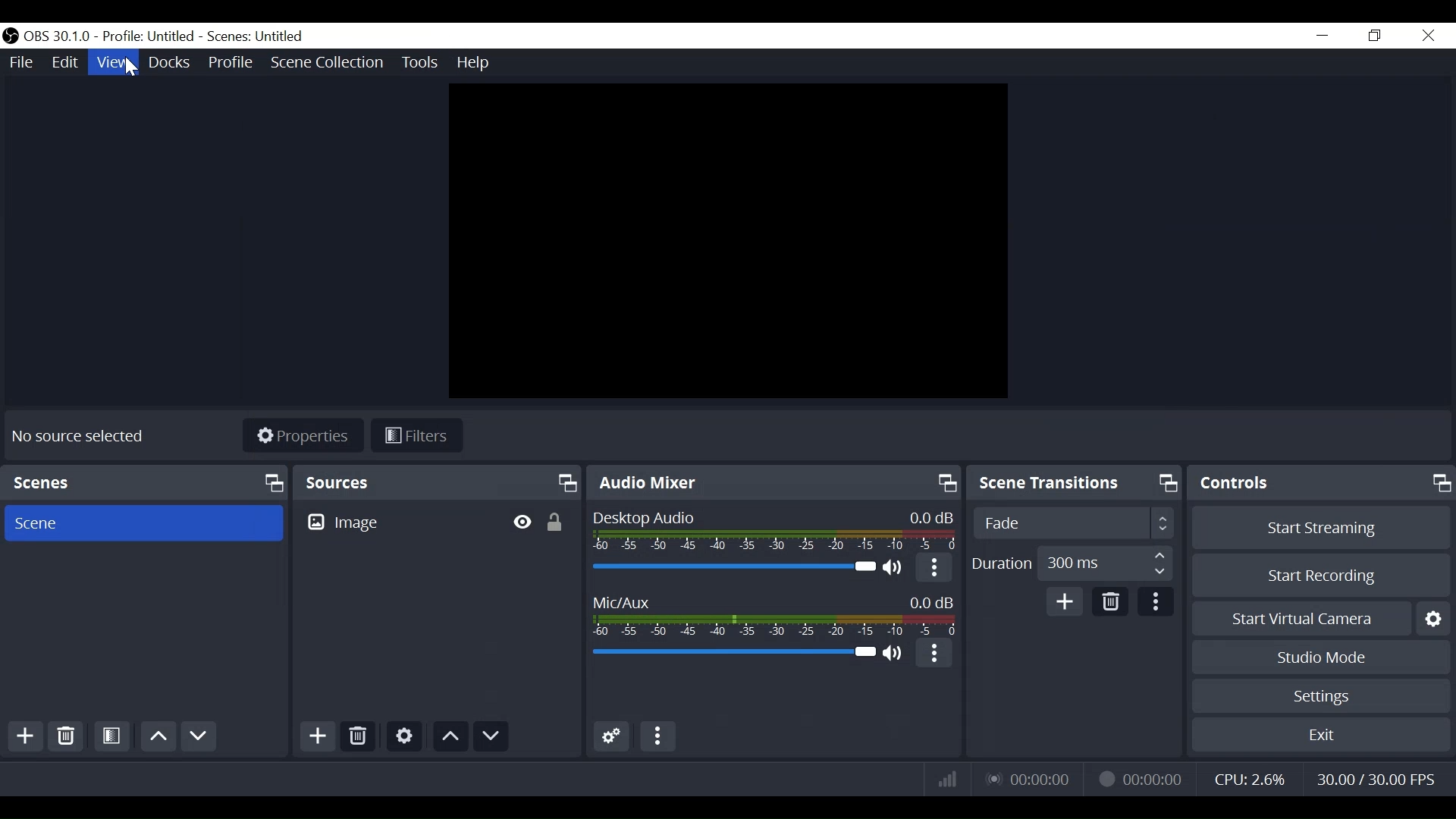  What do you see at coordinates (440, 483) in the screenshot?
I see `Sources` at bounding box center [440, 483].